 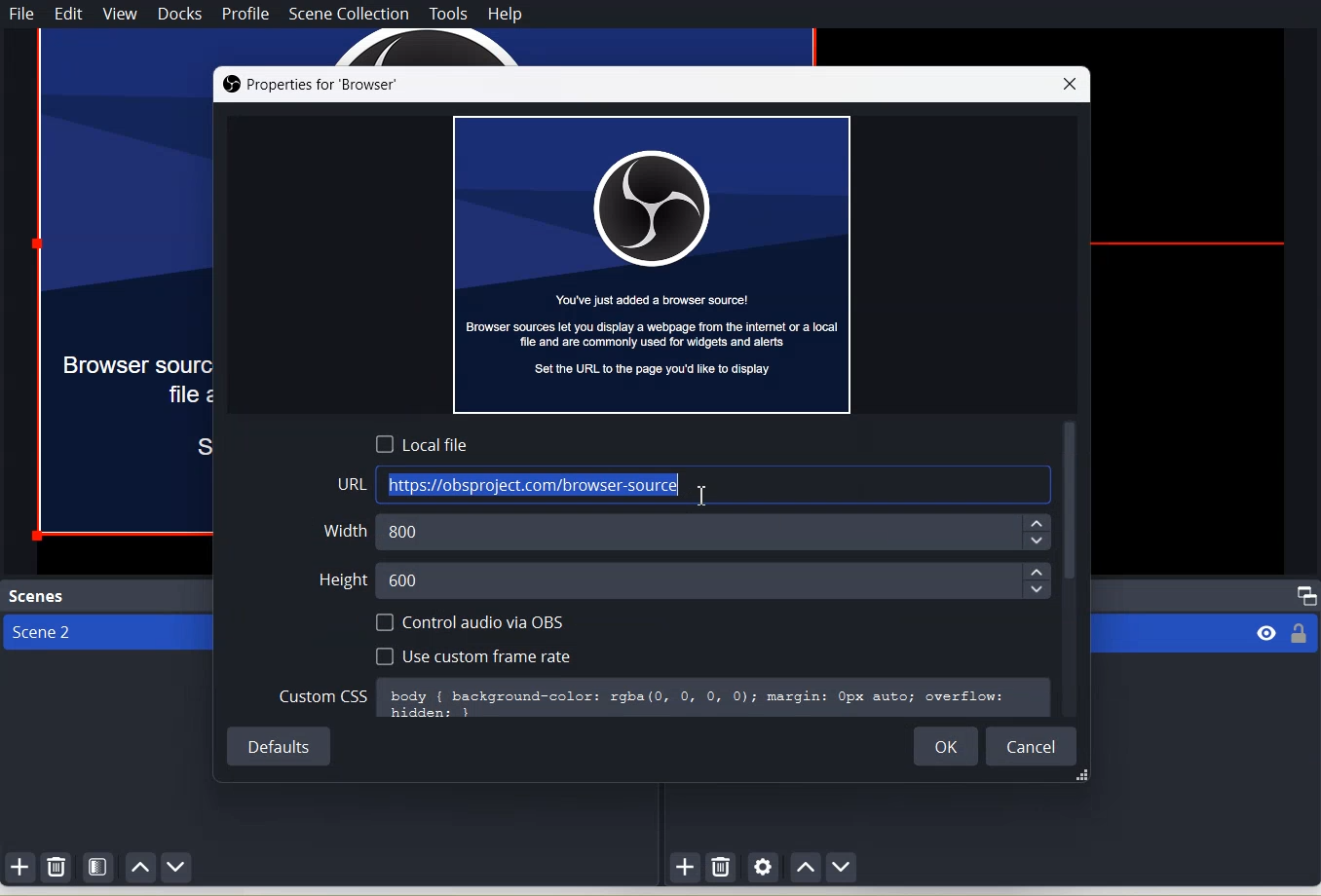 What do you see at coordinates (686, 868) in the screenshot?
I see `Add source` at bounding box center [686, 868].